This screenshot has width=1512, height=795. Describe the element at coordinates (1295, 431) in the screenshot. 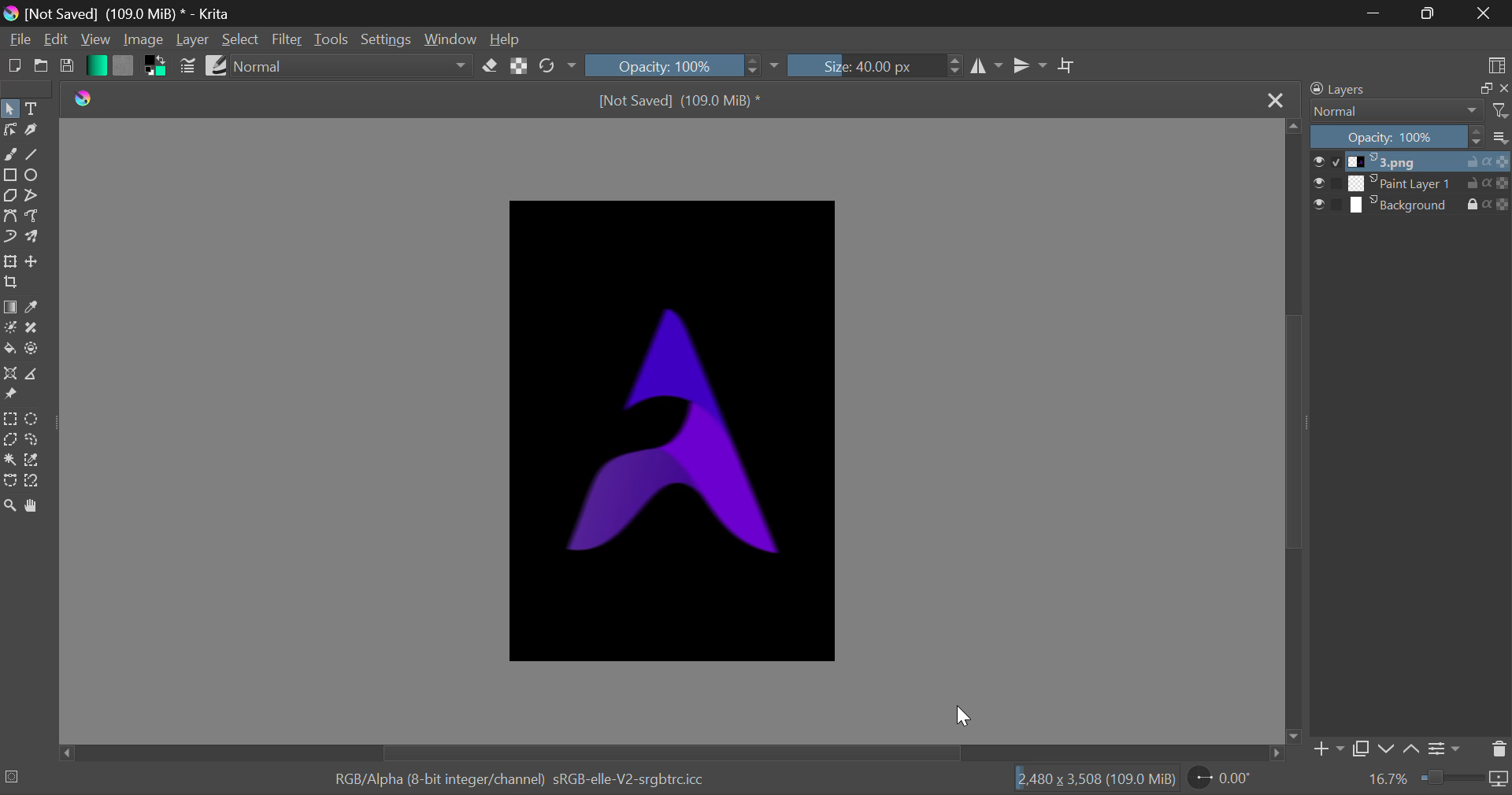

I see `Scroll Bar` at that location.